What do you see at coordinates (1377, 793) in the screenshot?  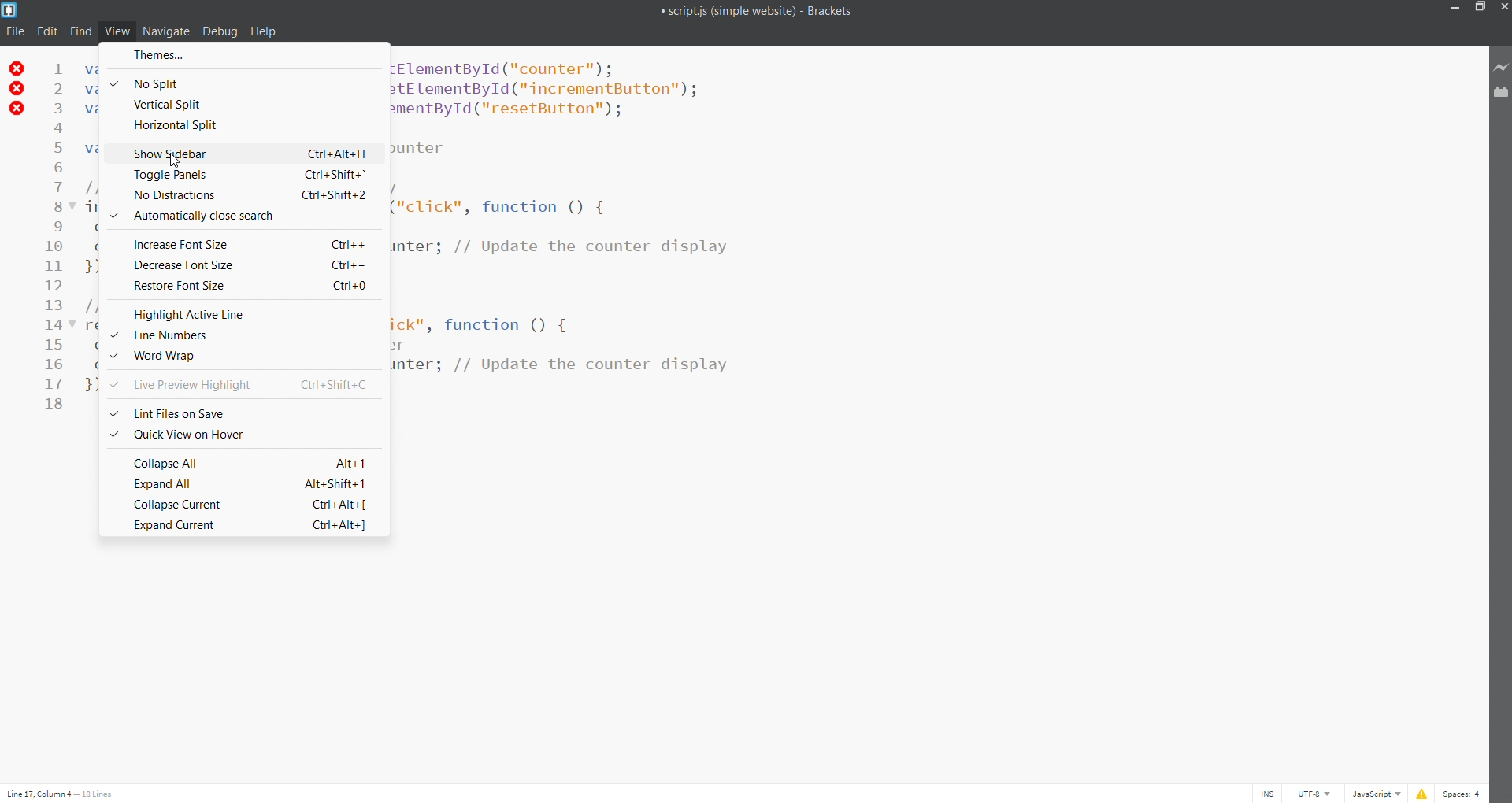 I see `file type` at bounding box center [1377, 793].